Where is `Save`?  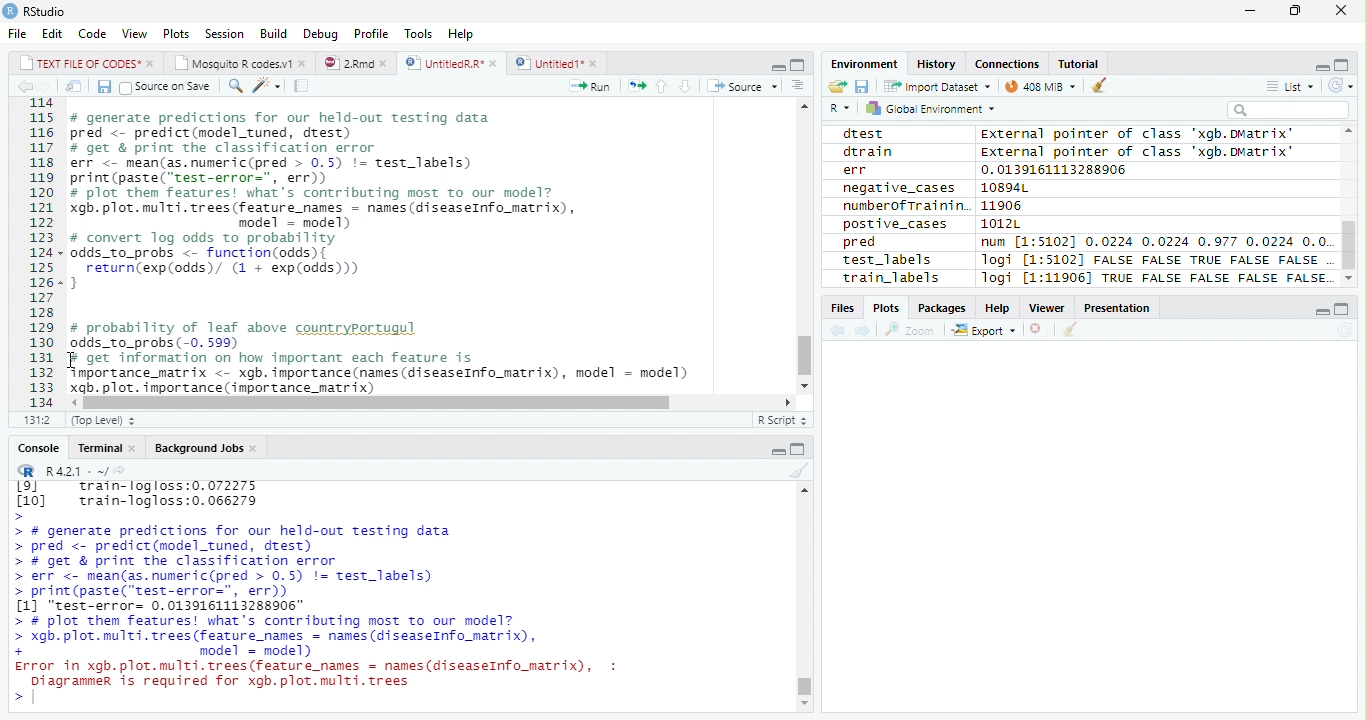 Save is located at coordinates (101, 85).